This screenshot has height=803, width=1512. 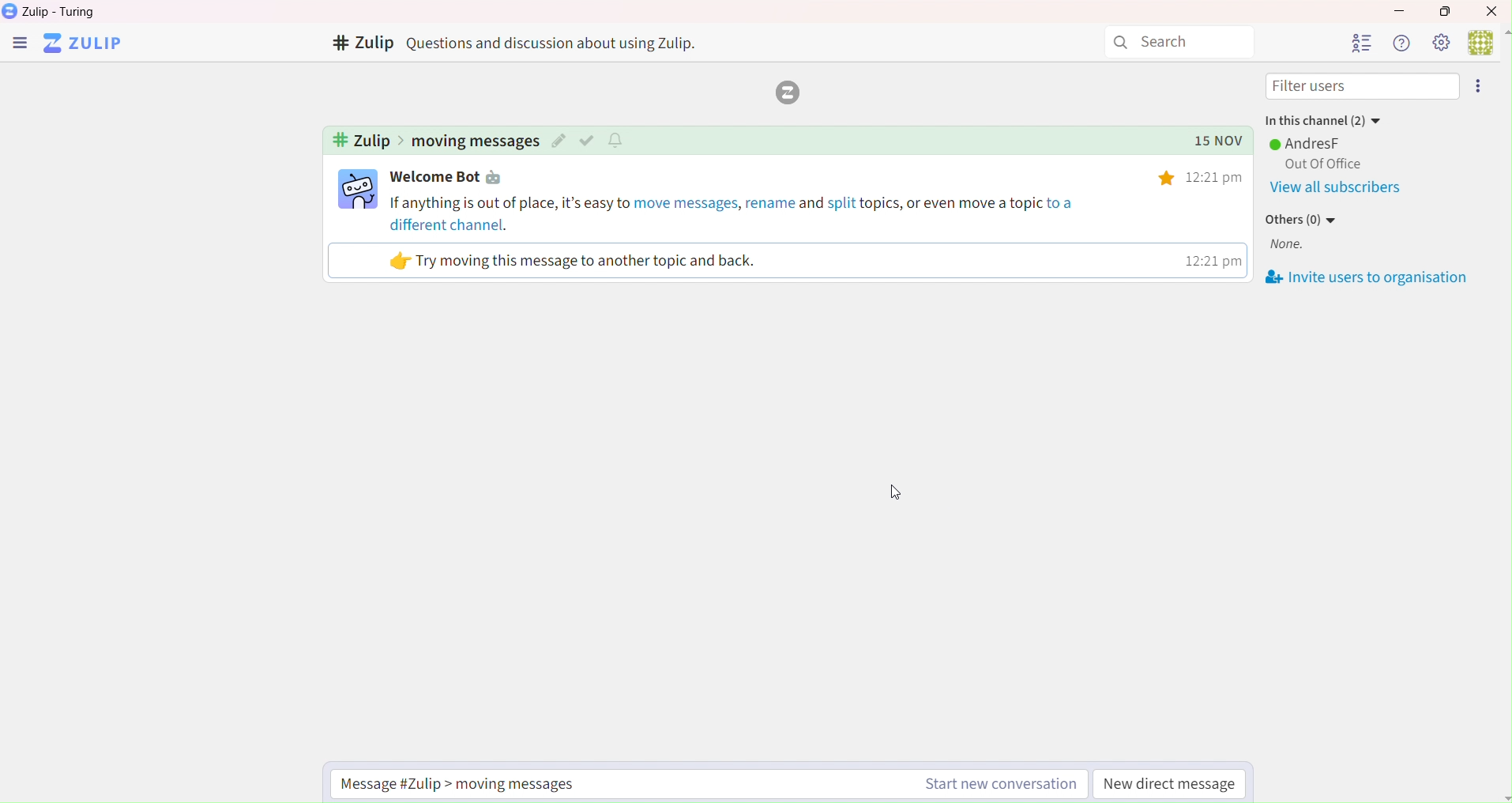 I want to click on Info, so click(x=1400, y=43).